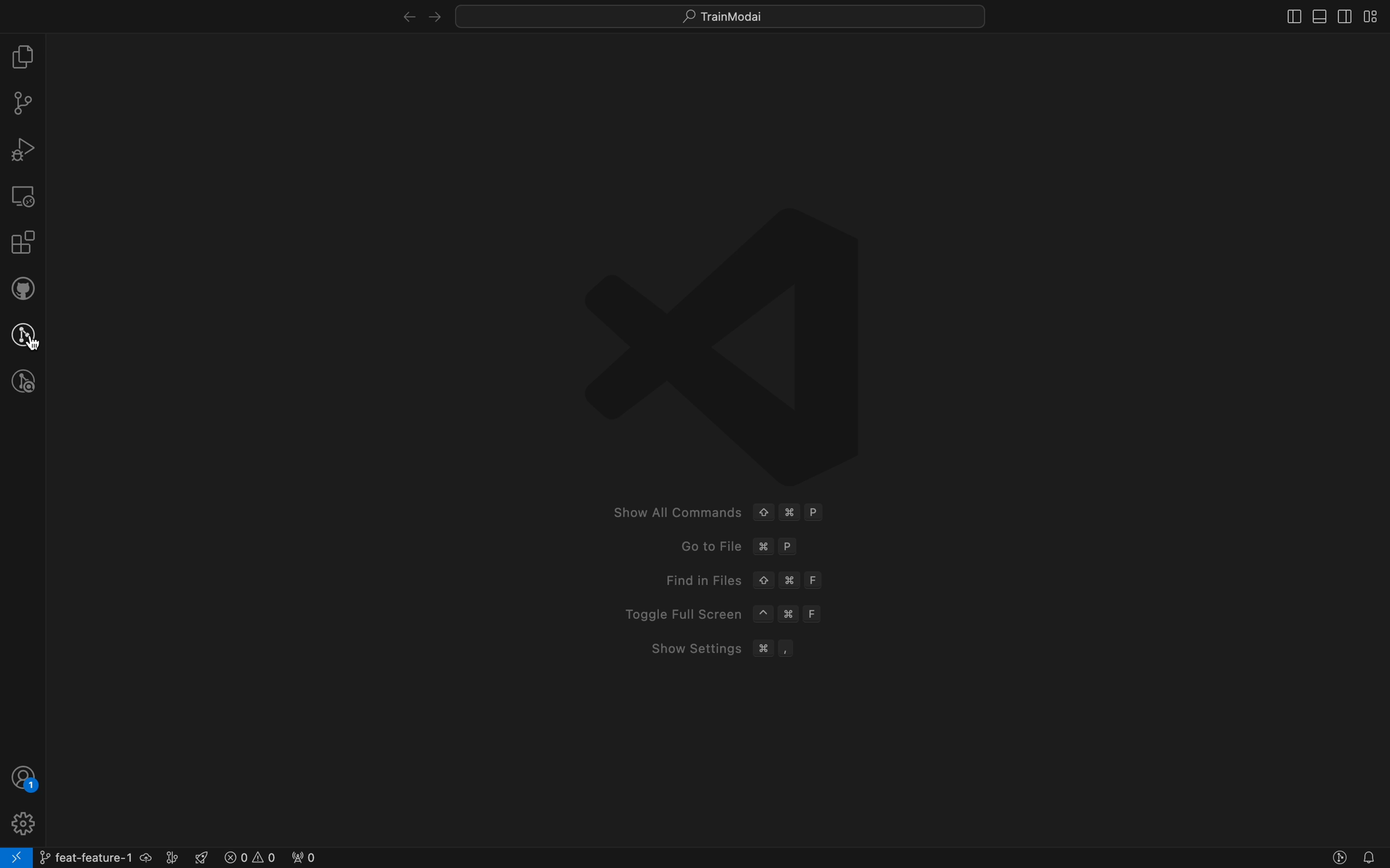 Image resolution: width=1390 pixels, height=868 pixels. I want to click on error logs, so click(269, 858).